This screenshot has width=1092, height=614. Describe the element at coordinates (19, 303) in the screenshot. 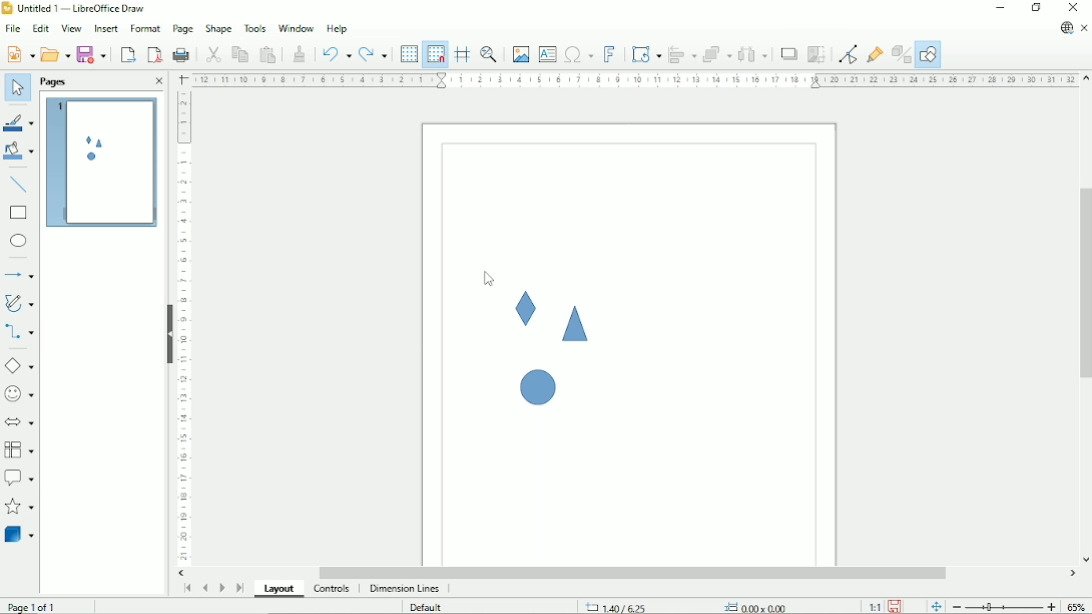

I see `Curves and polygons` at that location.